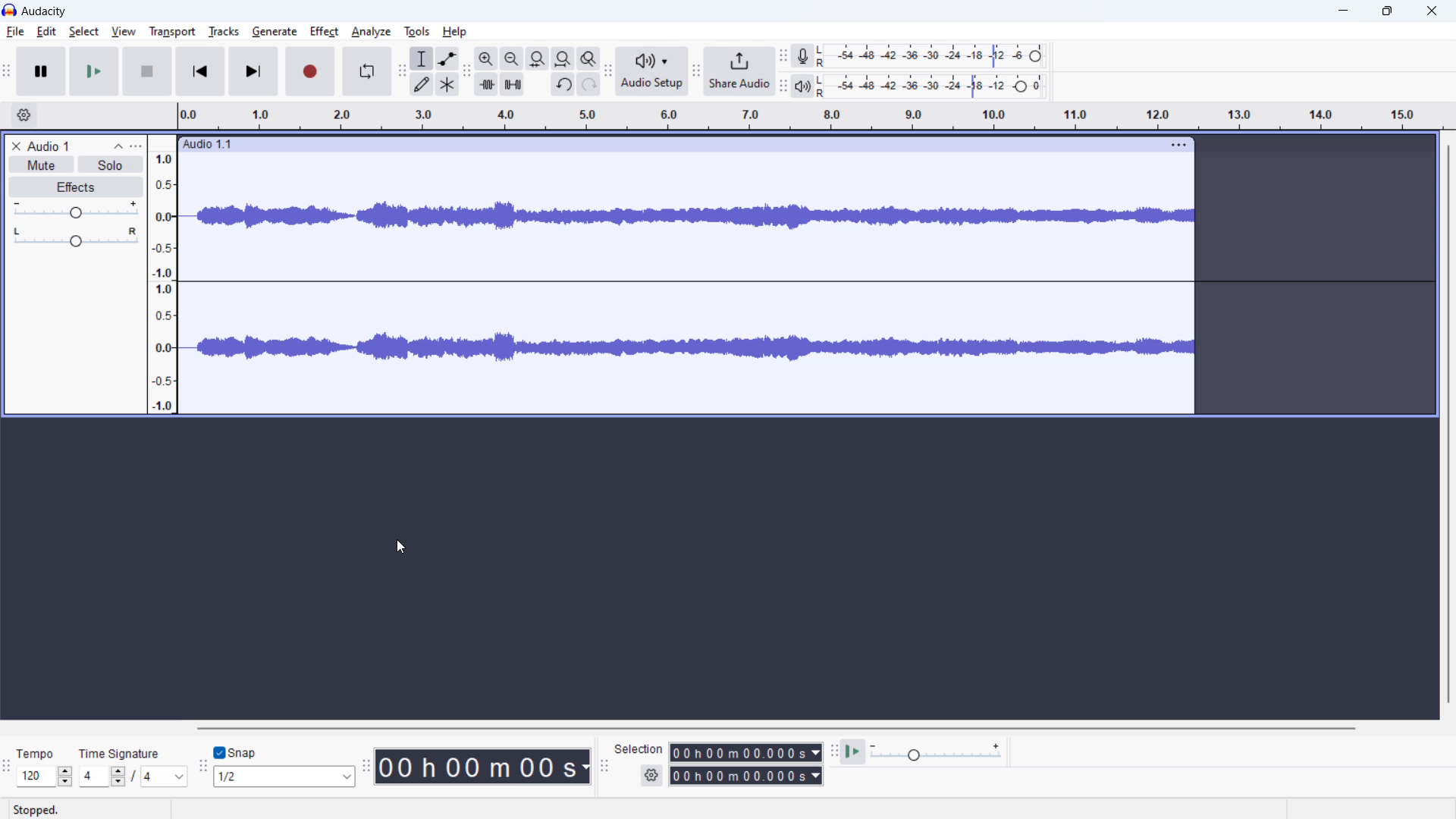 This screenshot has height=819, width=1456. Describe the element at coordinates (739, 71) in the screenshot. I see `share audio` at that location.